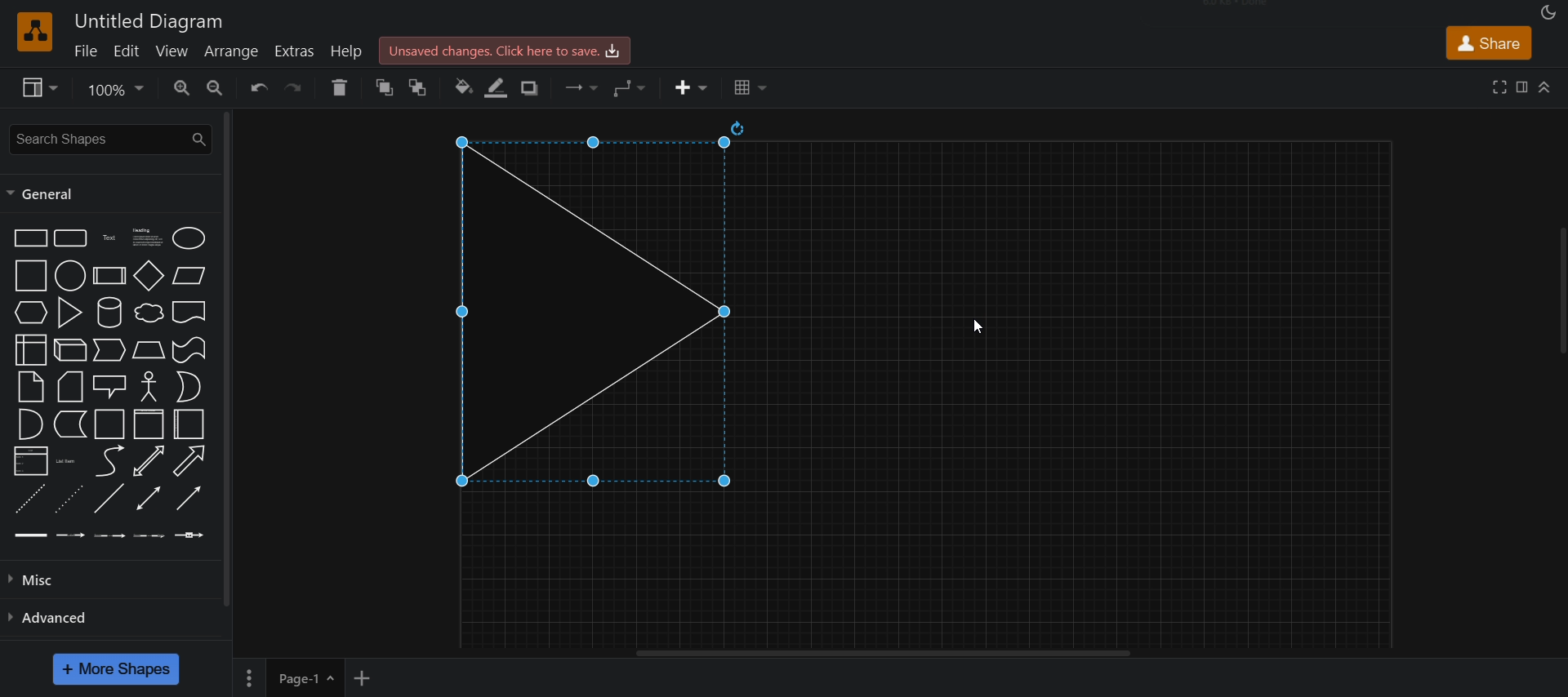 This screenshot has width=1568, height=697. What do you see at coordinates (149, 460) in the screenshot?
I see `bidirectional arrow` at bounding box center [149, 460].